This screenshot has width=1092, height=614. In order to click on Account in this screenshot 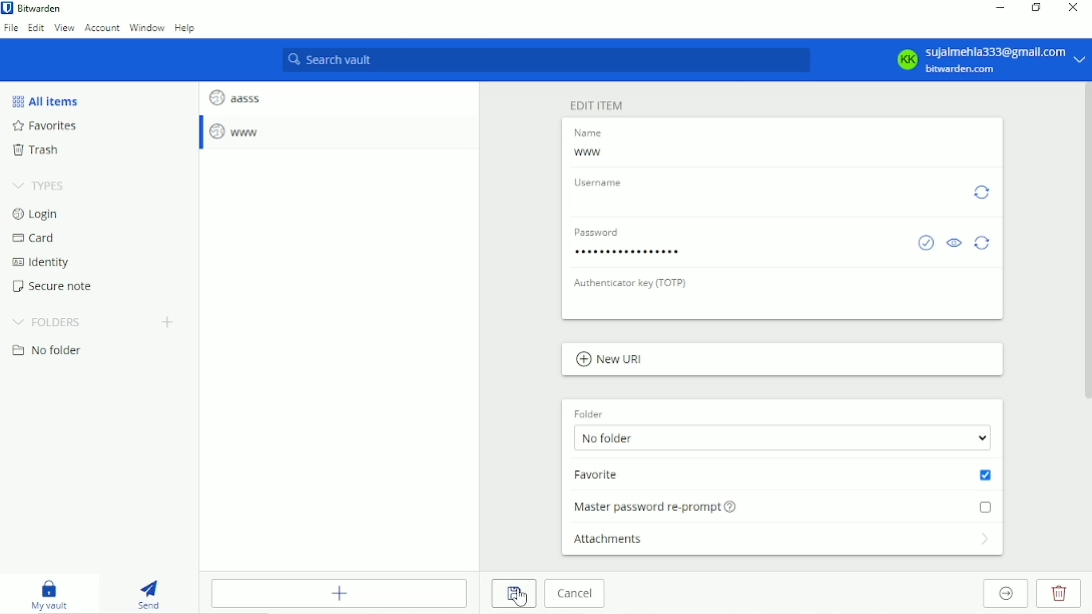, I will do `click(101, 29)`.